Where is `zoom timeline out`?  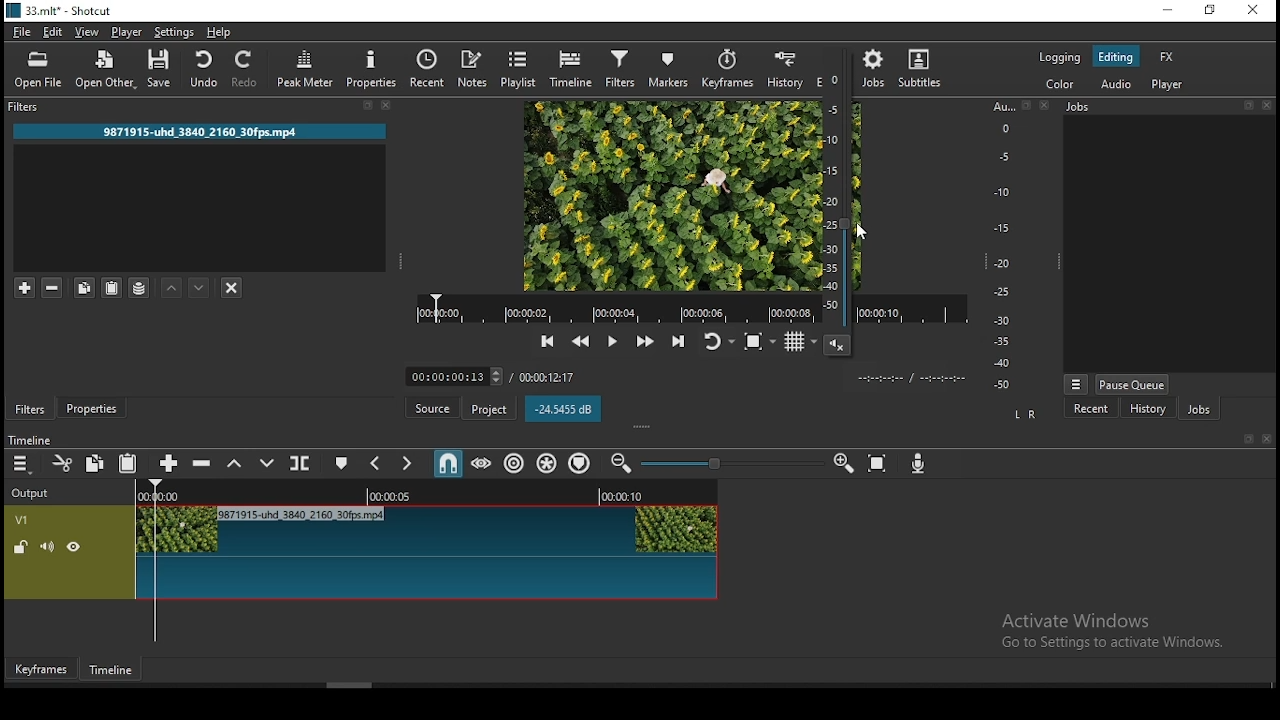
zoom timeline out is located at coordinates (621, 462).